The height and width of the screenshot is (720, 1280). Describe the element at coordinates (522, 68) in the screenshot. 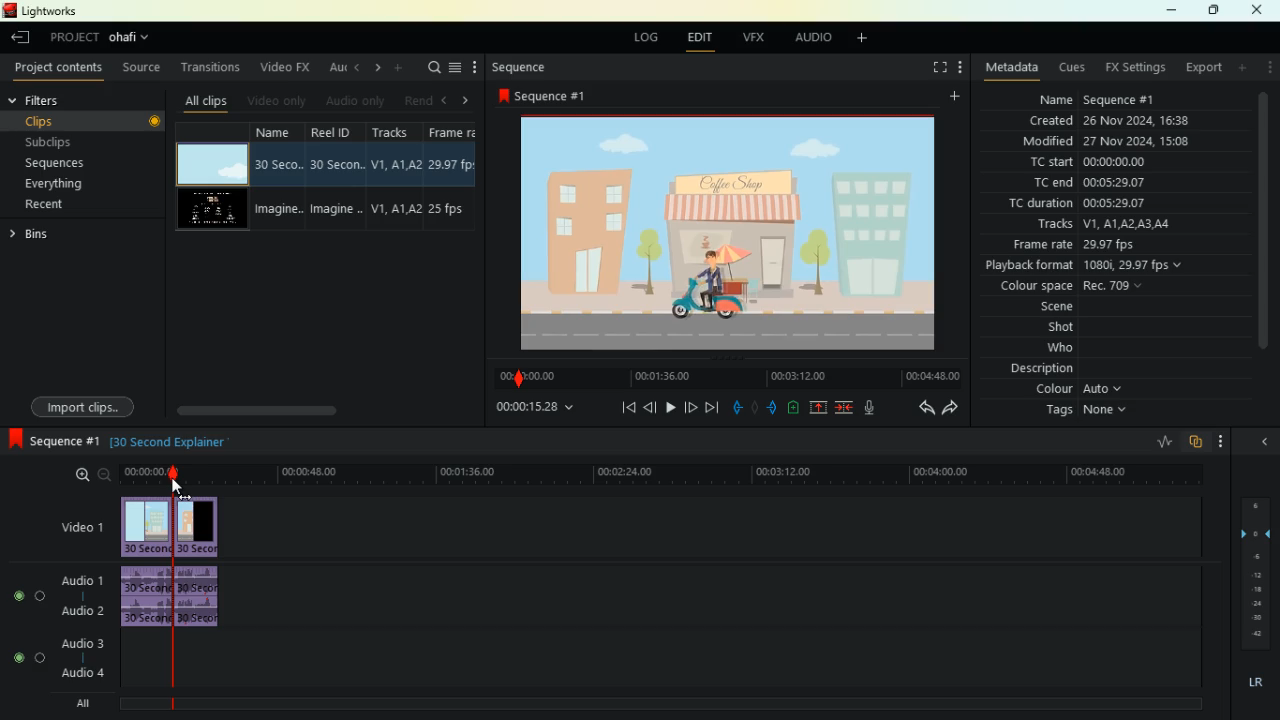

I see `sequence` at that location.